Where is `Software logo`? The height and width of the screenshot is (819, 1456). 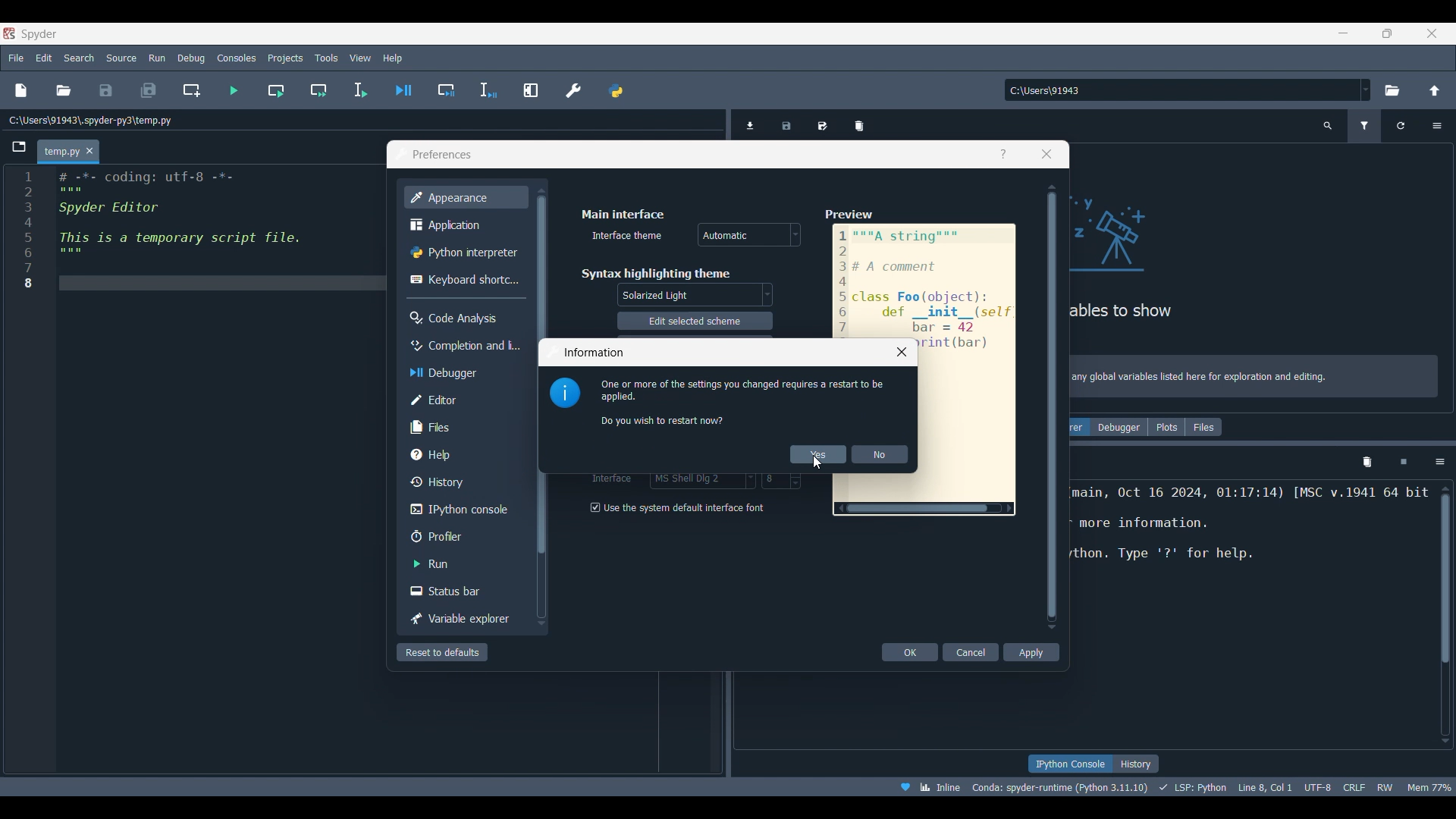 Software logo is located at coordinates (39, 34).